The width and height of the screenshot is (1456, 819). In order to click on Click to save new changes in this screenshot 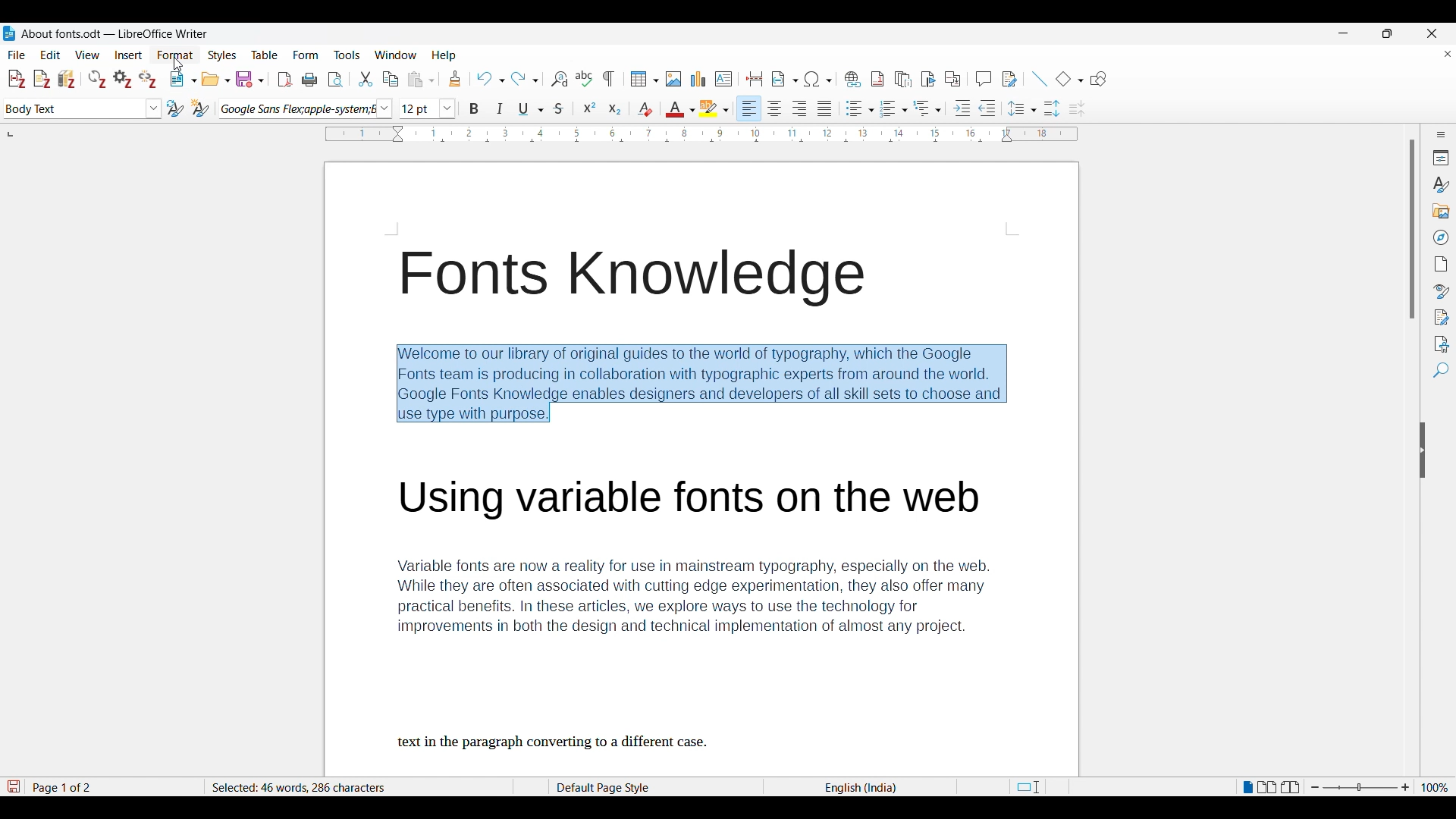, I will do `click(13, 786)`.